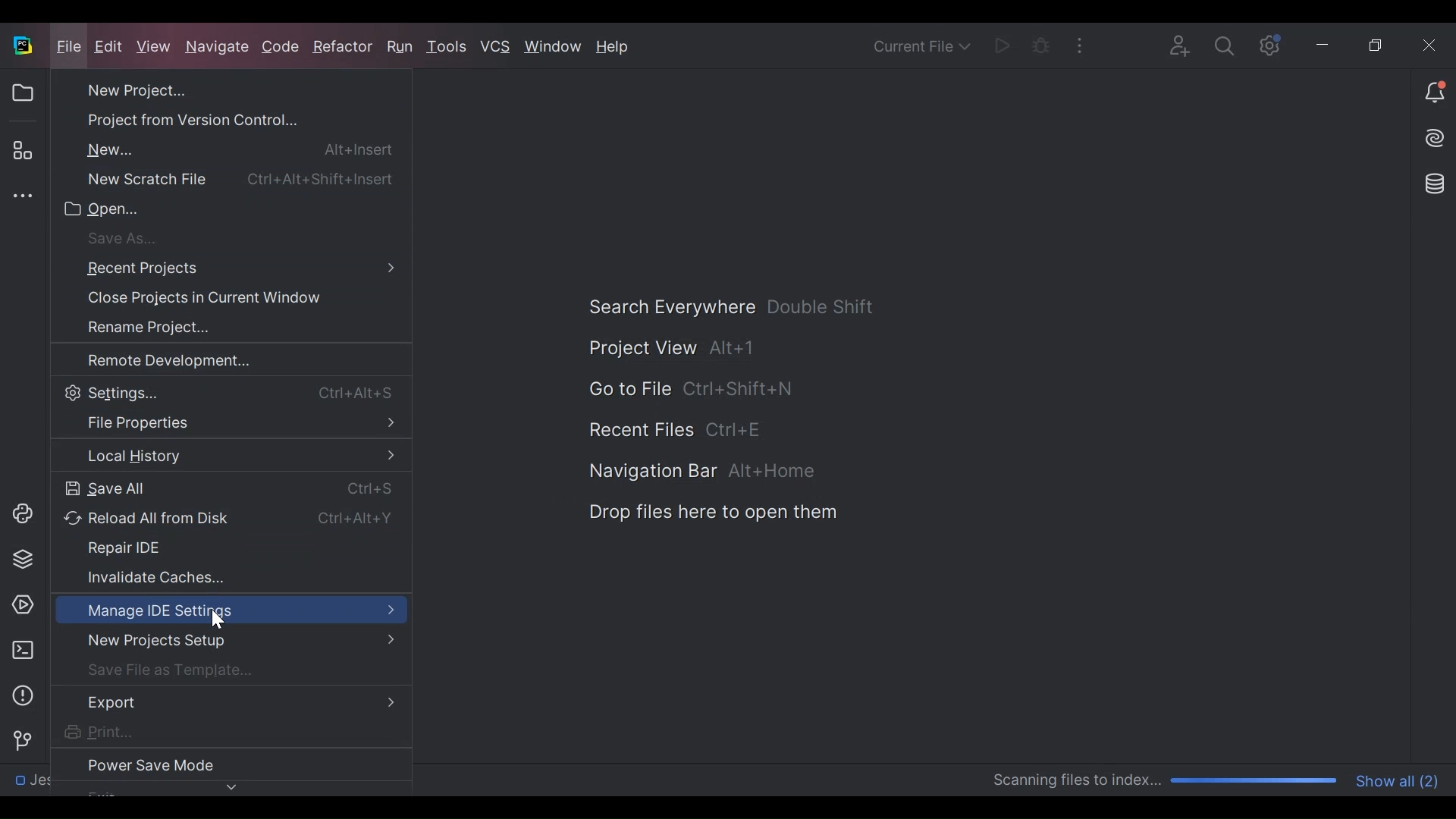  I want to click on Close, so click(1424, 42).